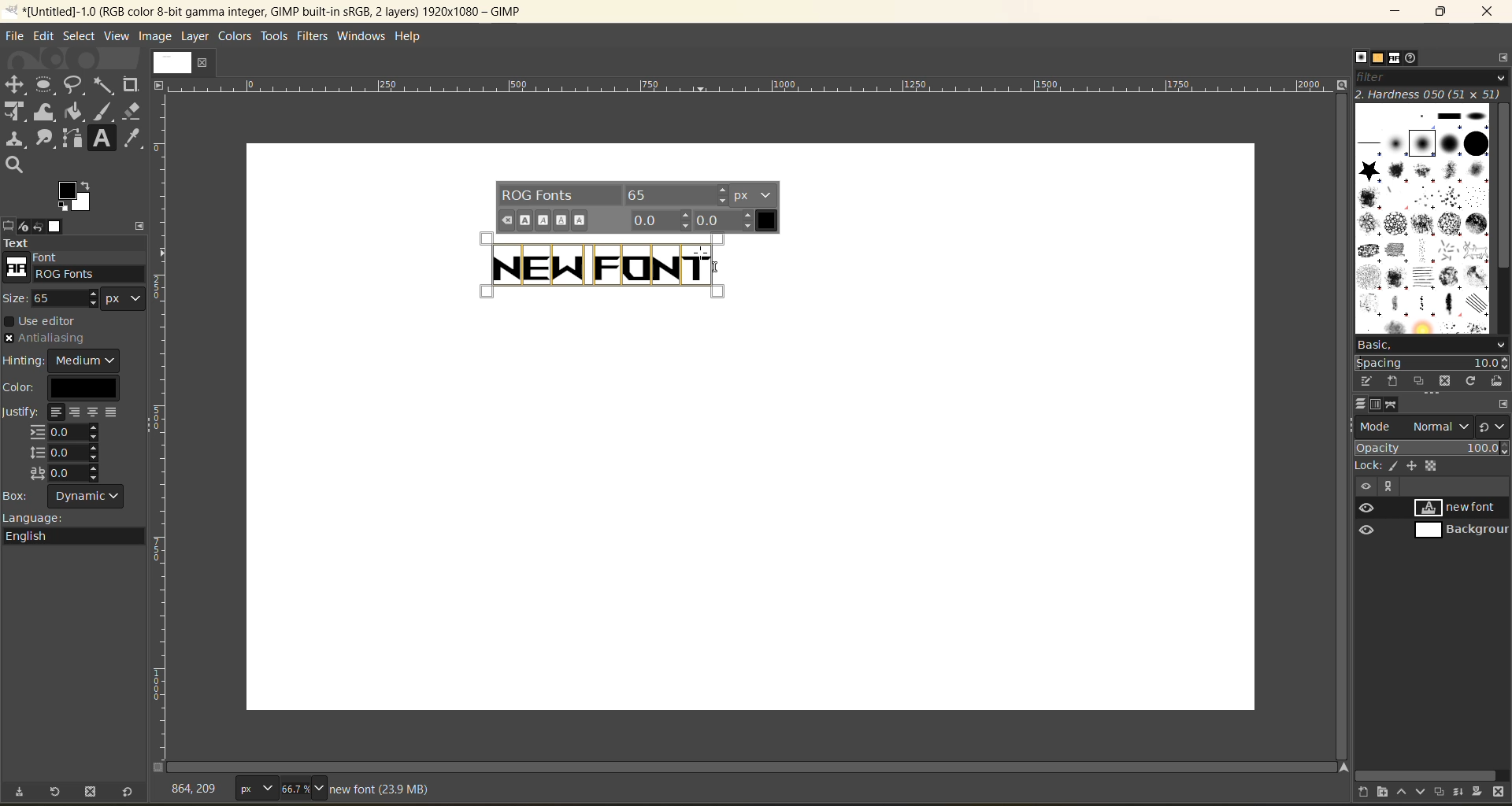 The height and width of the screenshot is (806, 1512). Describe the element at coordinates (1503, 405) in the screenshot. I see `configure` at that location.